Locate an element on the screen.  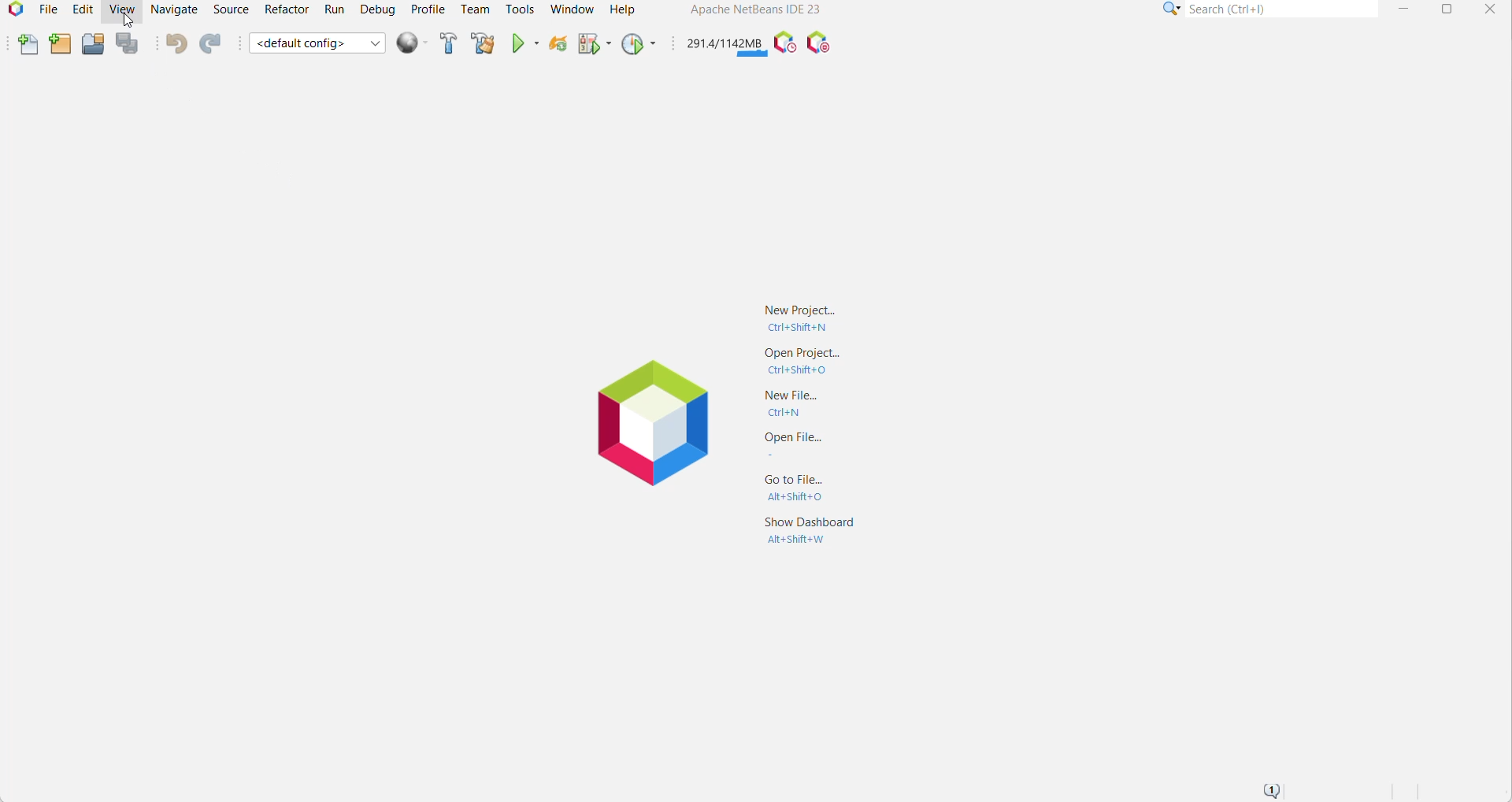
Search is located at coordinates (1283, 9).